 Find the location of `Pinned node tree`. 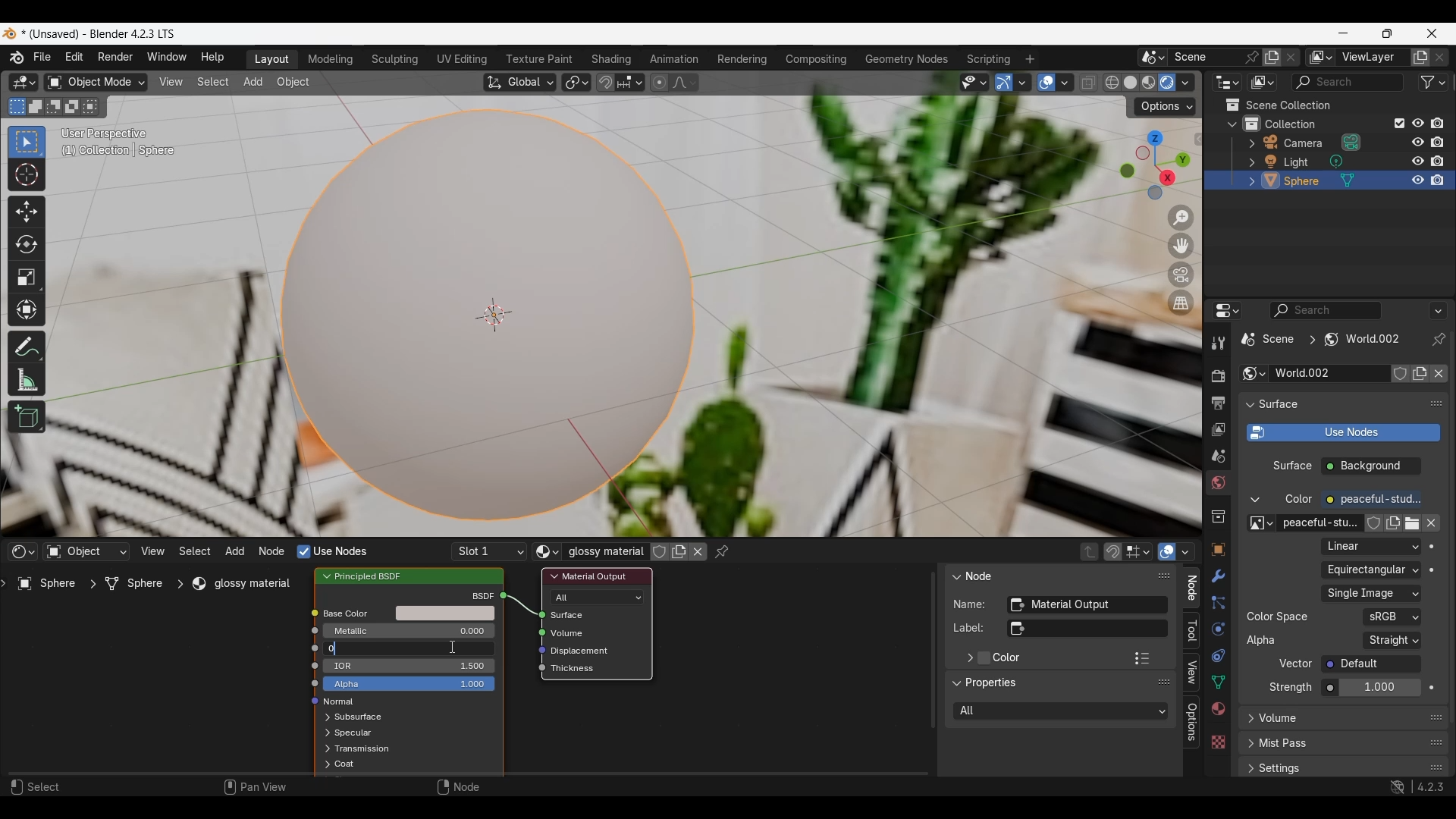

Pinned node tree is located at coordinates (721, 552).